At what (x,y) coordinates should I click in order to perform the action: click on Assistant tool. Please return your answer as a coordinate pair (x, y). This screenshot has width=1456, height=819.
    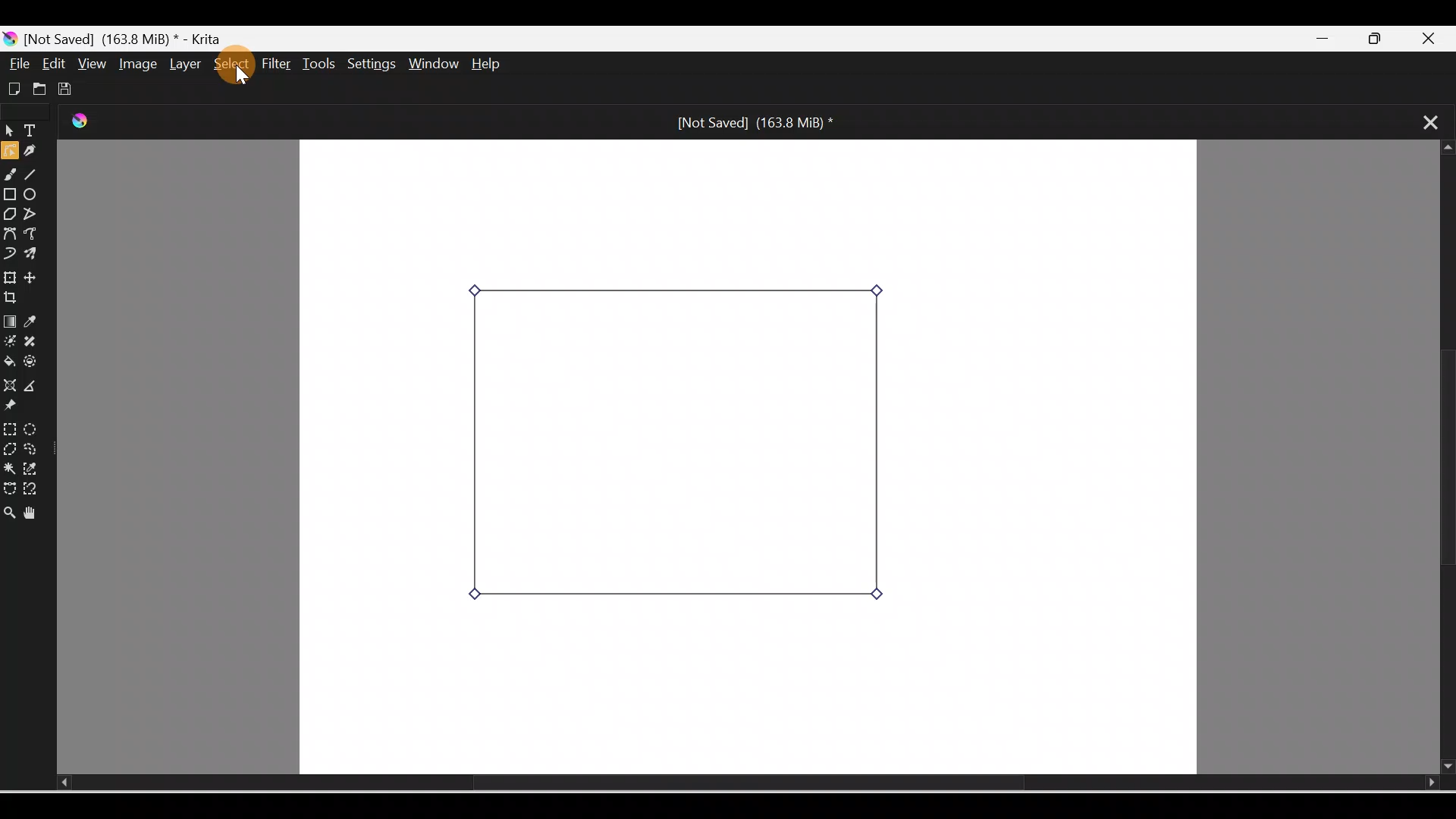
    Looking at the image, I should click on (9, 385).